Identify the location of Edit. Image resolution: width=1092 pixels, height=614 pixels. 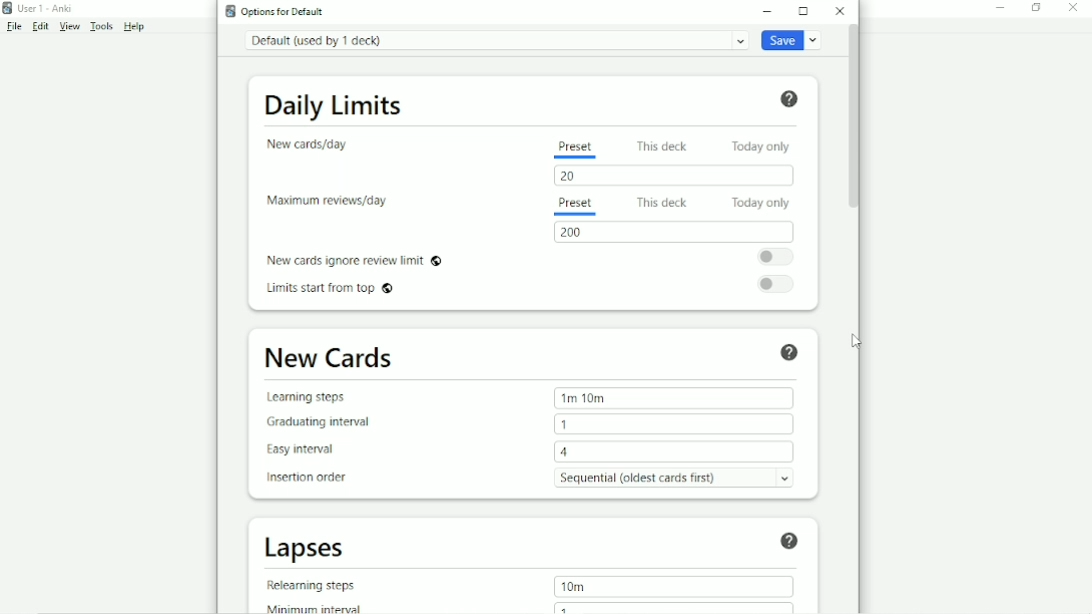
(40, 26).